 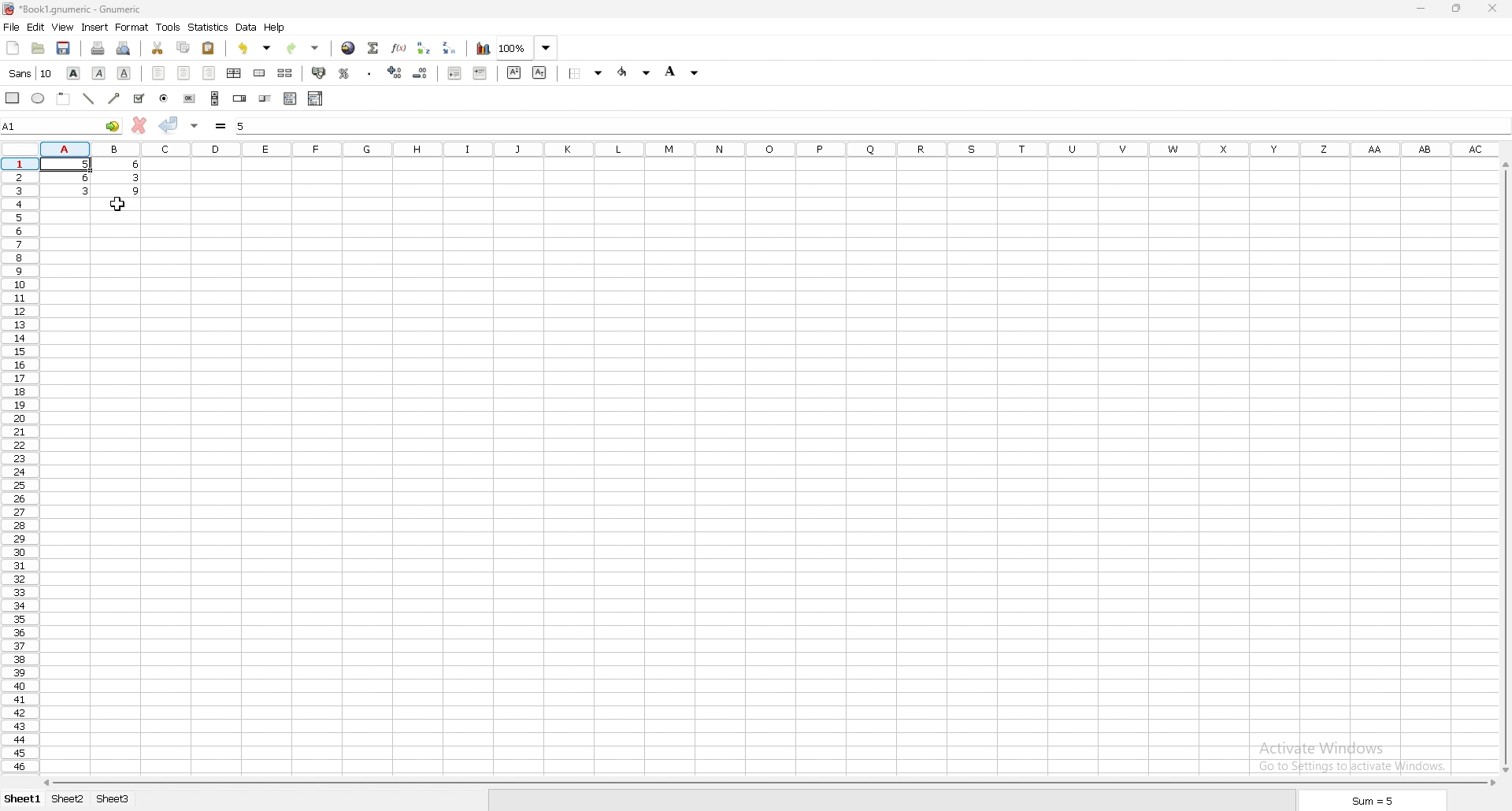 What do you see at coordinates (1456, 9) in the screenshot?
I see `resize` at bounding box center [1456, 9].